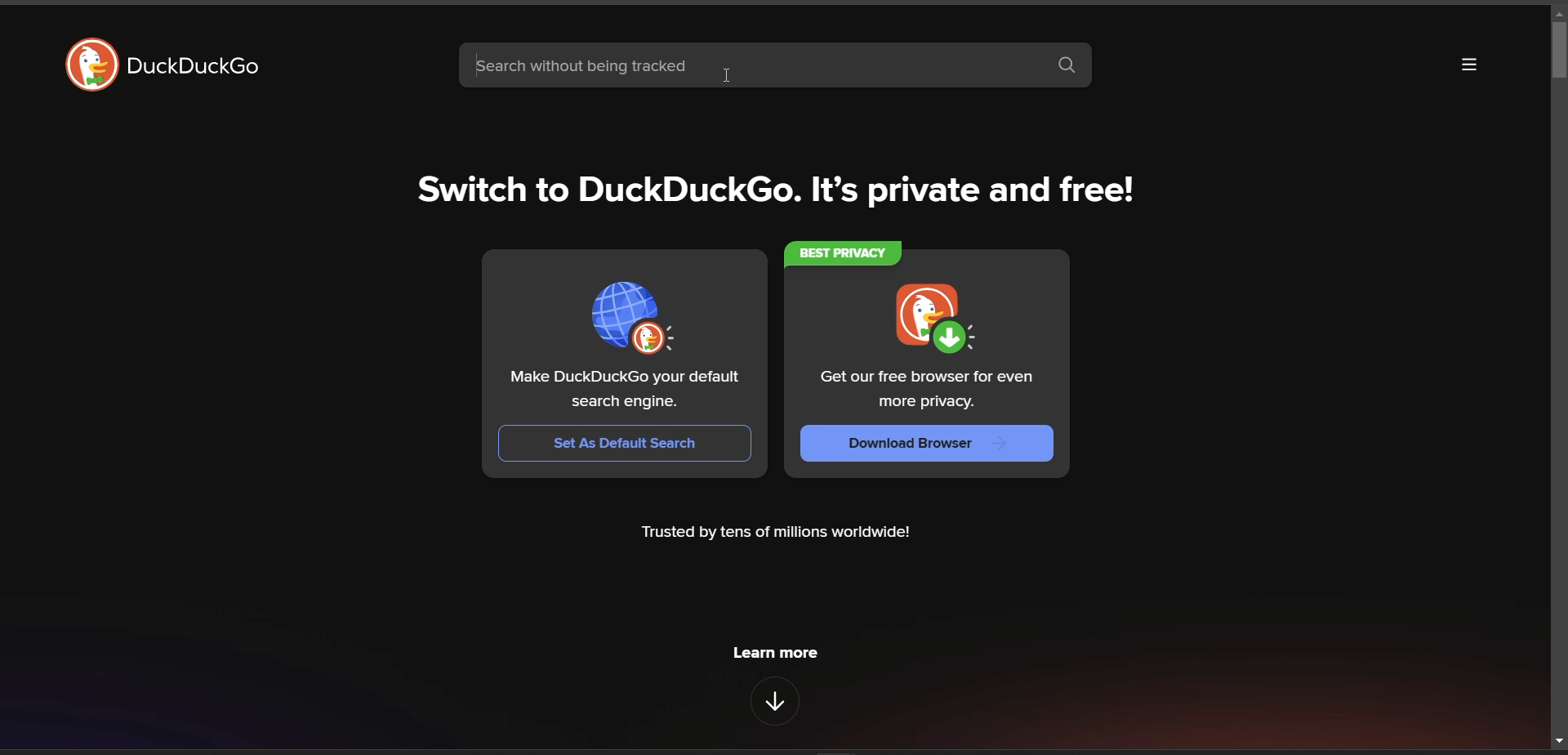 This screenshot has width=1568, height=755. What do you see at coordinates (623, 443) in the screenshot?
I see `Set As Default Search` at bounding box center [623, 443].